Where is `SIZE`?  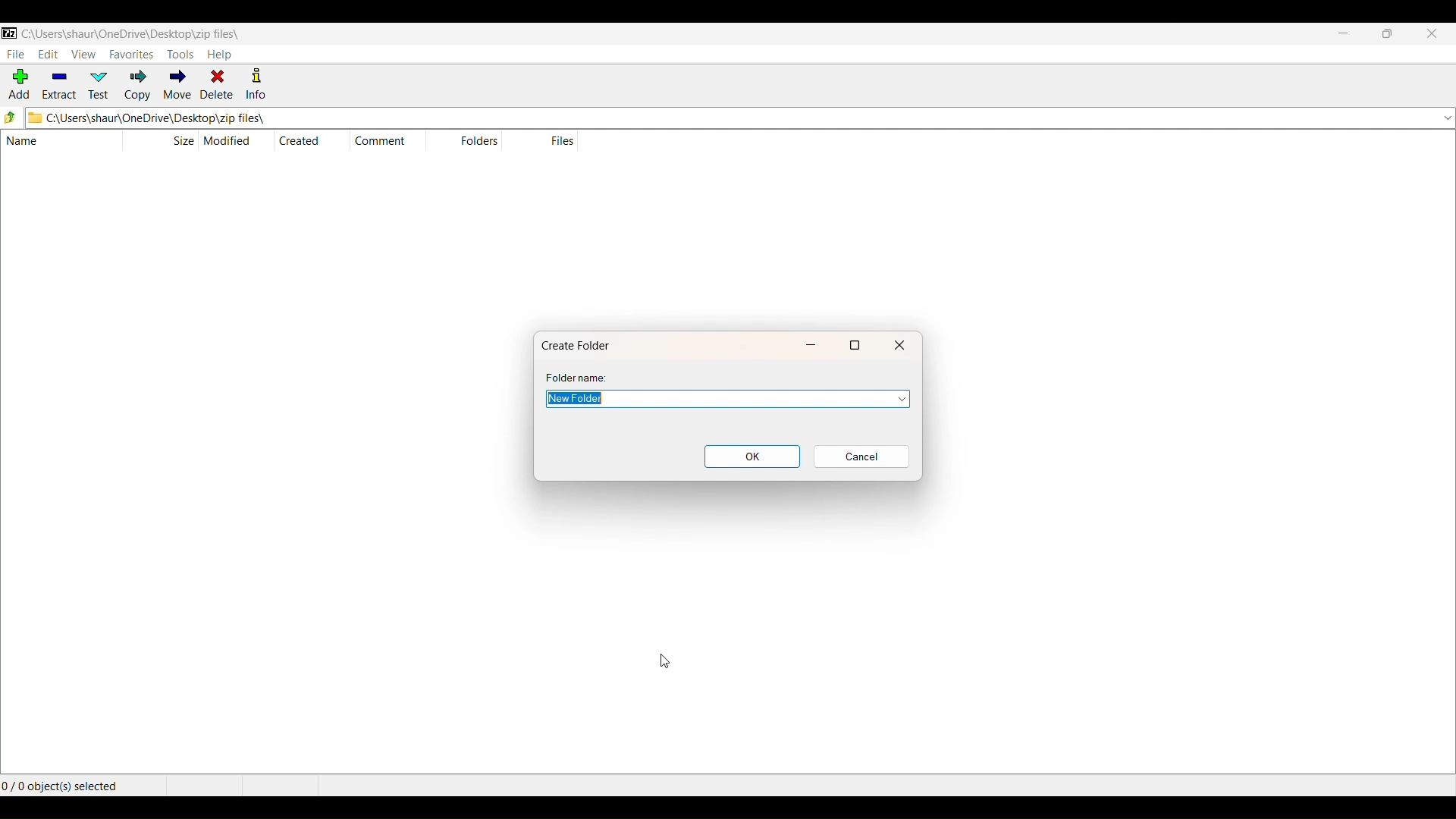 SIZE is located at coordinates (183, 140).